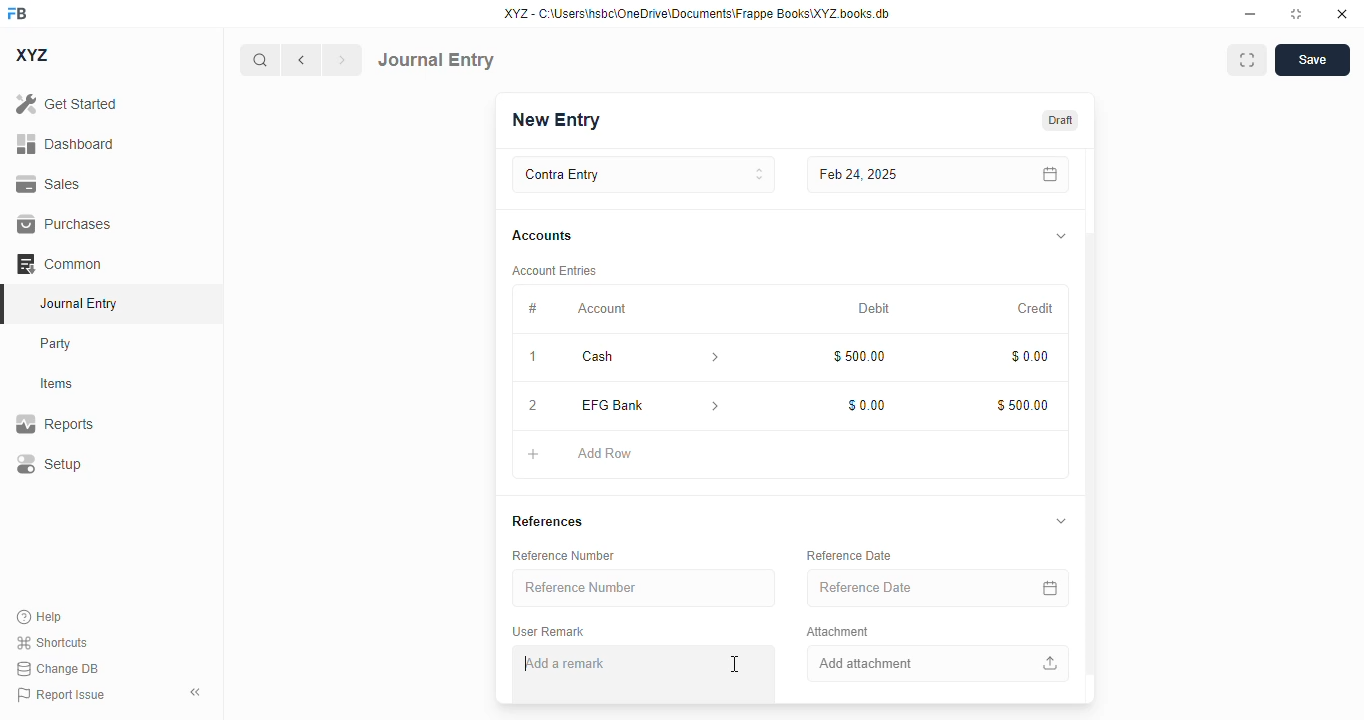 This screenshot has height=720, width=1364. What do you see at coordinates (573, 665) in the screenshot?
I see `add a remark - typing` at bounding box center [573, 665].